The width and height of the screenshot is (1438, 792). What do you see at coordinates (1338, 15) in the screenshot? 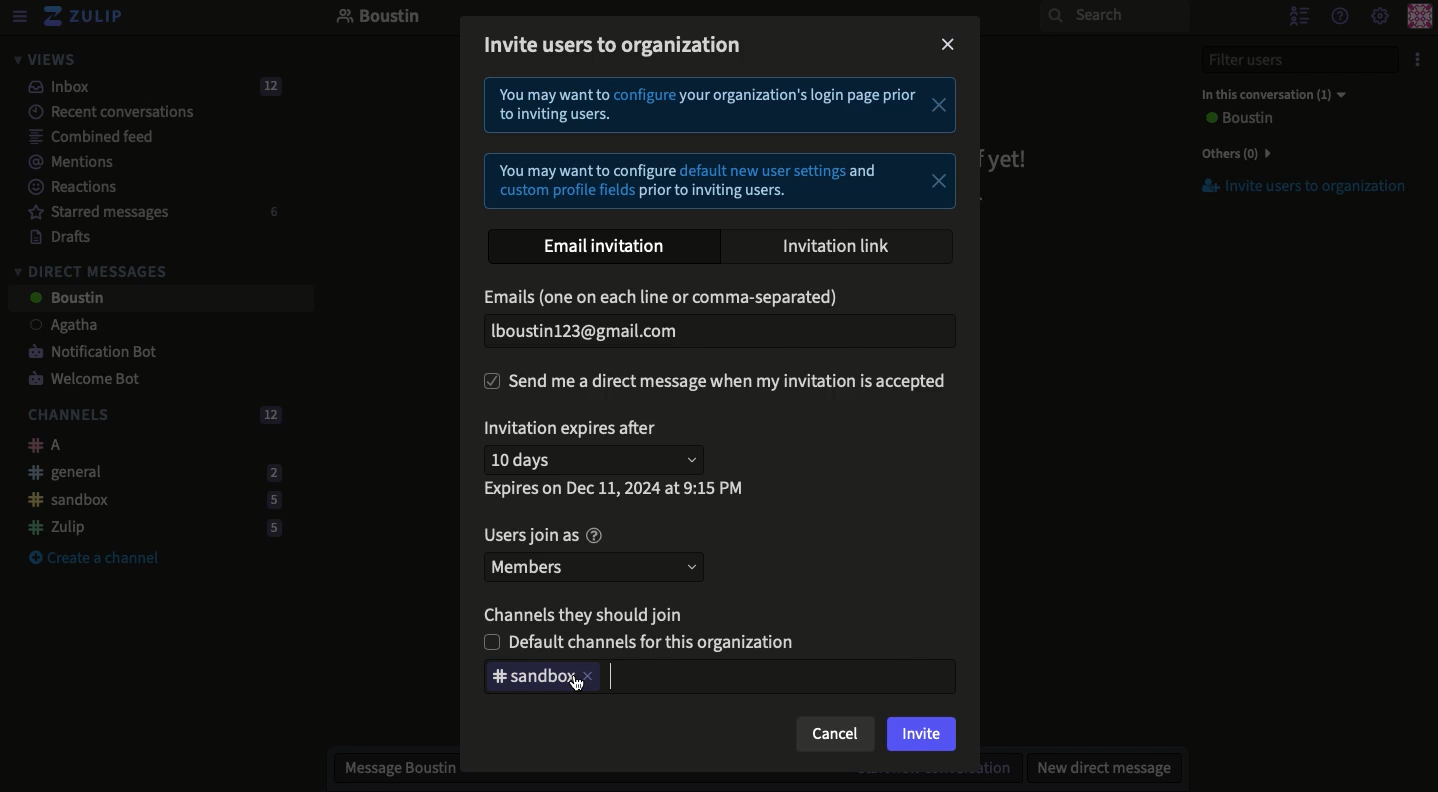
I see `Help` at bounding box center [1338, 15].